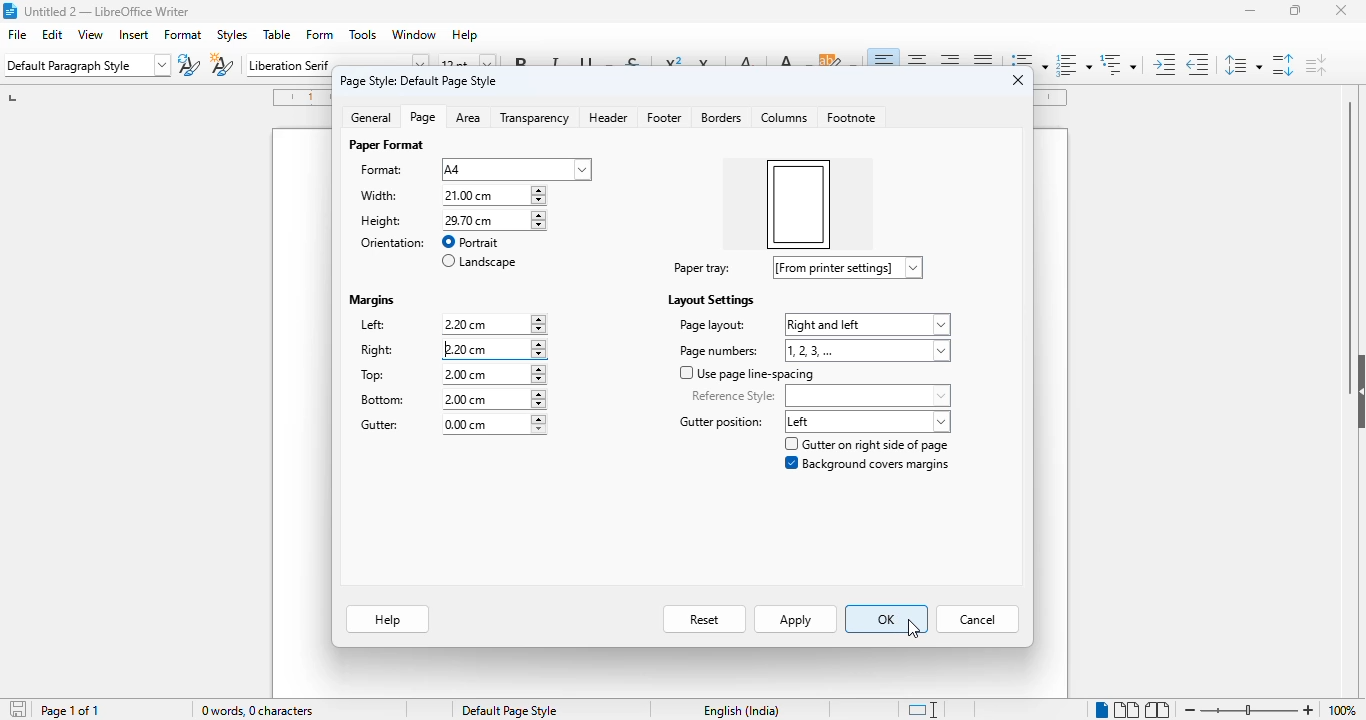  What do you see at coordinates (394, 242) in the screenshot?
I see `orientation: ` at bounding box center [394, 242].